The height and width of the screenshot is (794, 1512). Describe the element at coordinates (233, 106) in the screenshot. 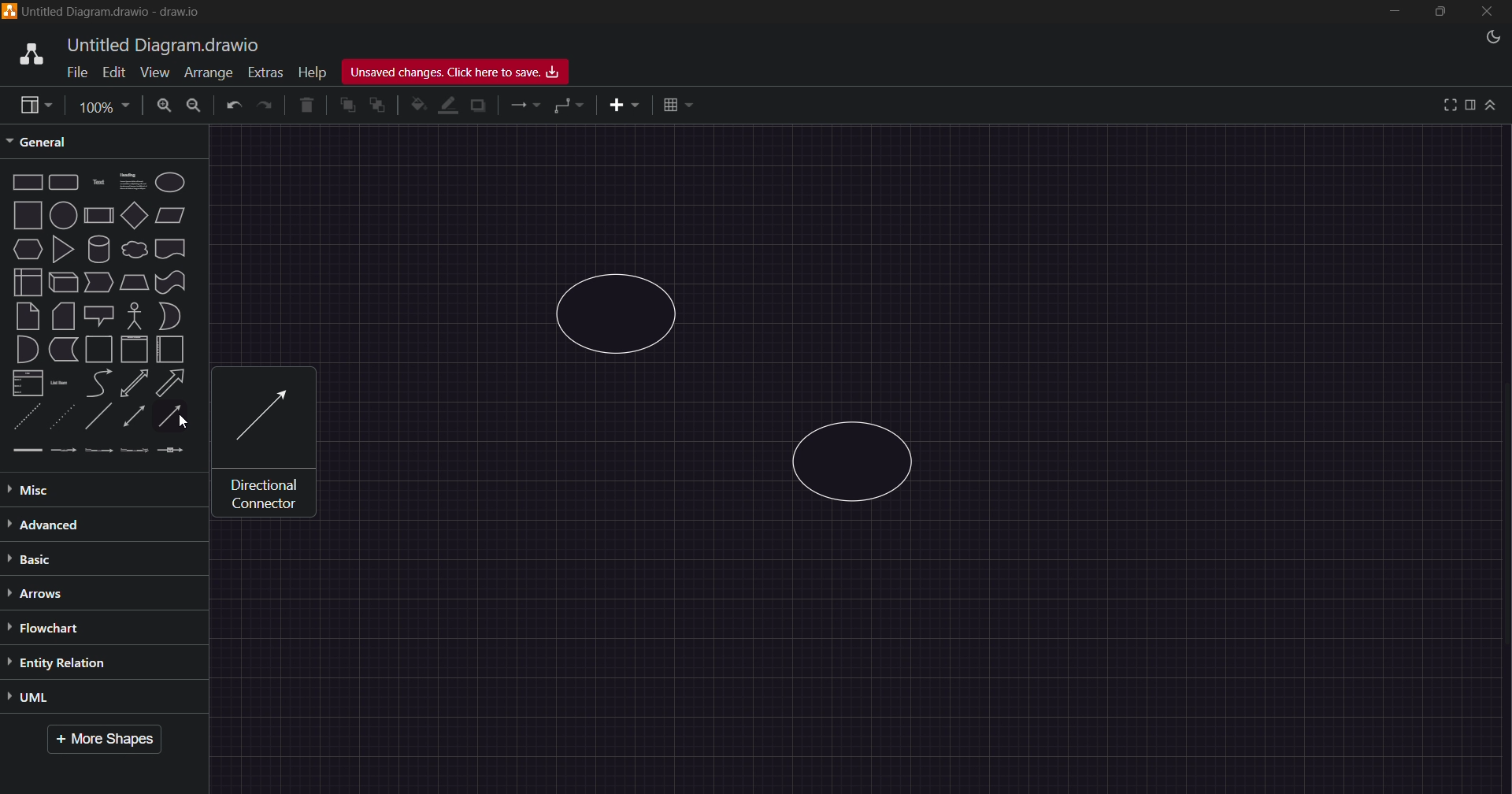

I see `Undo` at that location.